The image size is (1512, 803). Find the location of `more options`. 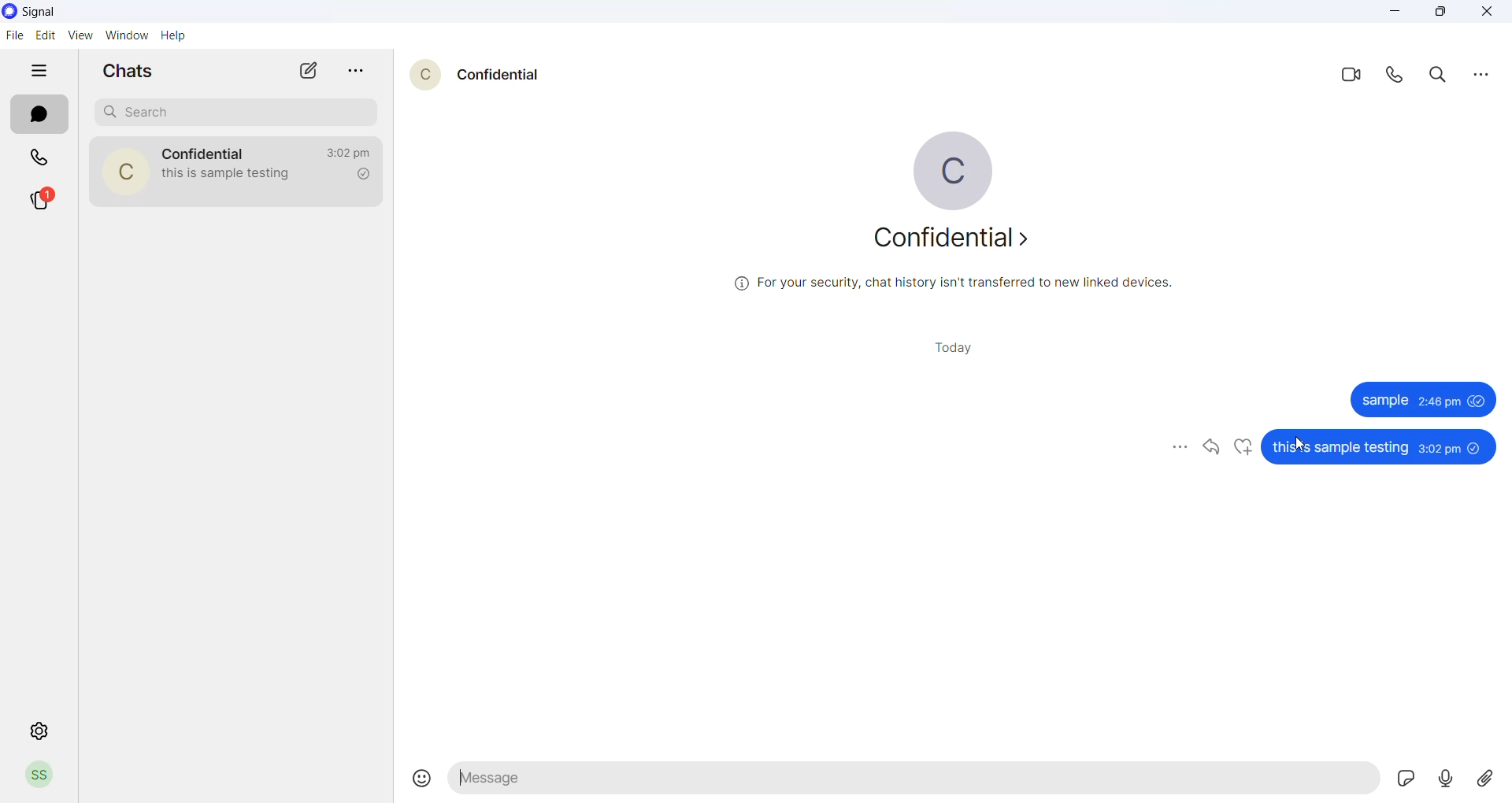

more options is located at coordinates (355, 68).